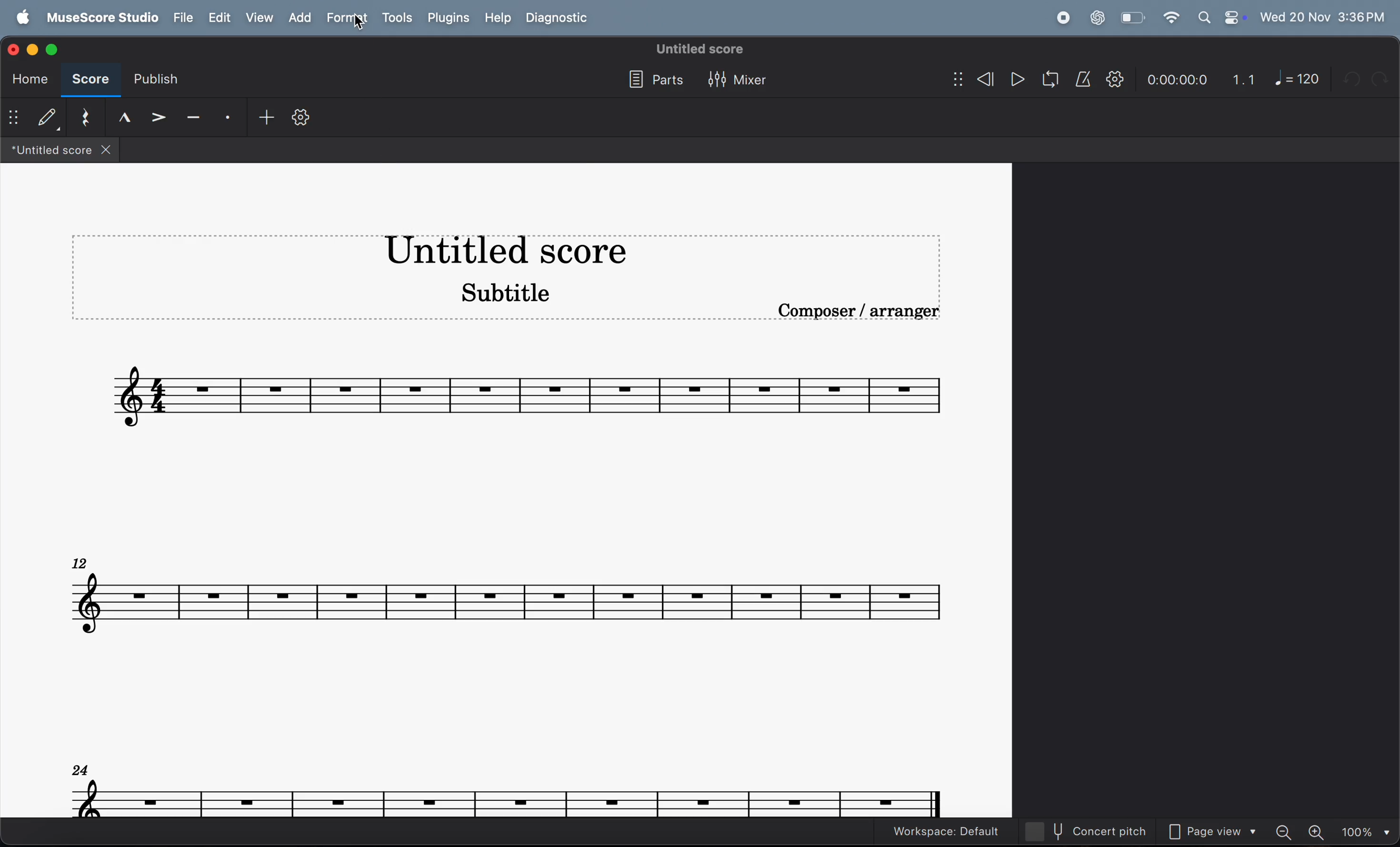 The image size is (1400, 847). I want to click on parts, so click(652, 81).